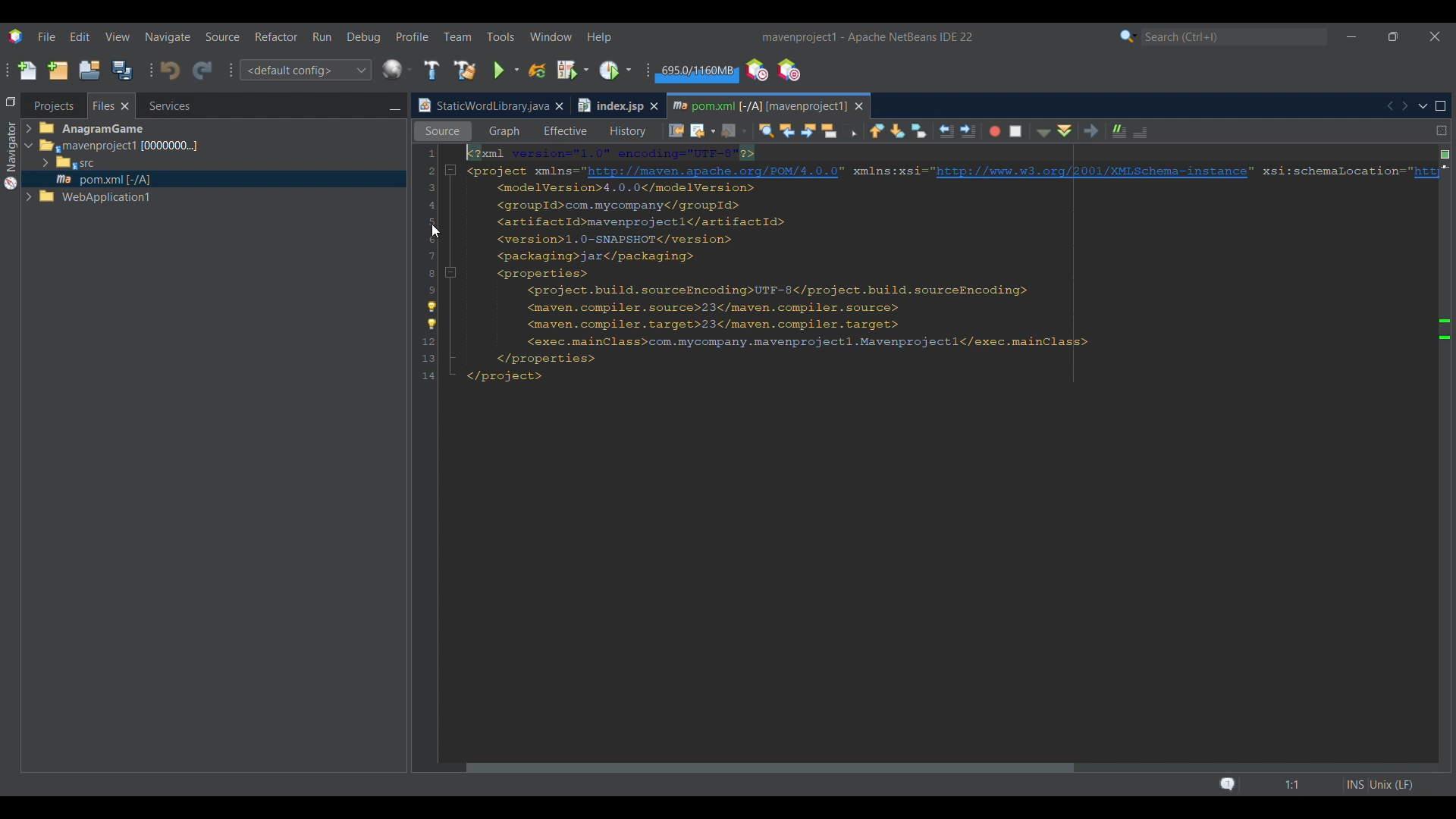  Describe the element at coordinates (465, 71) in the screenshot. I see `Clean and build main project` at that location.